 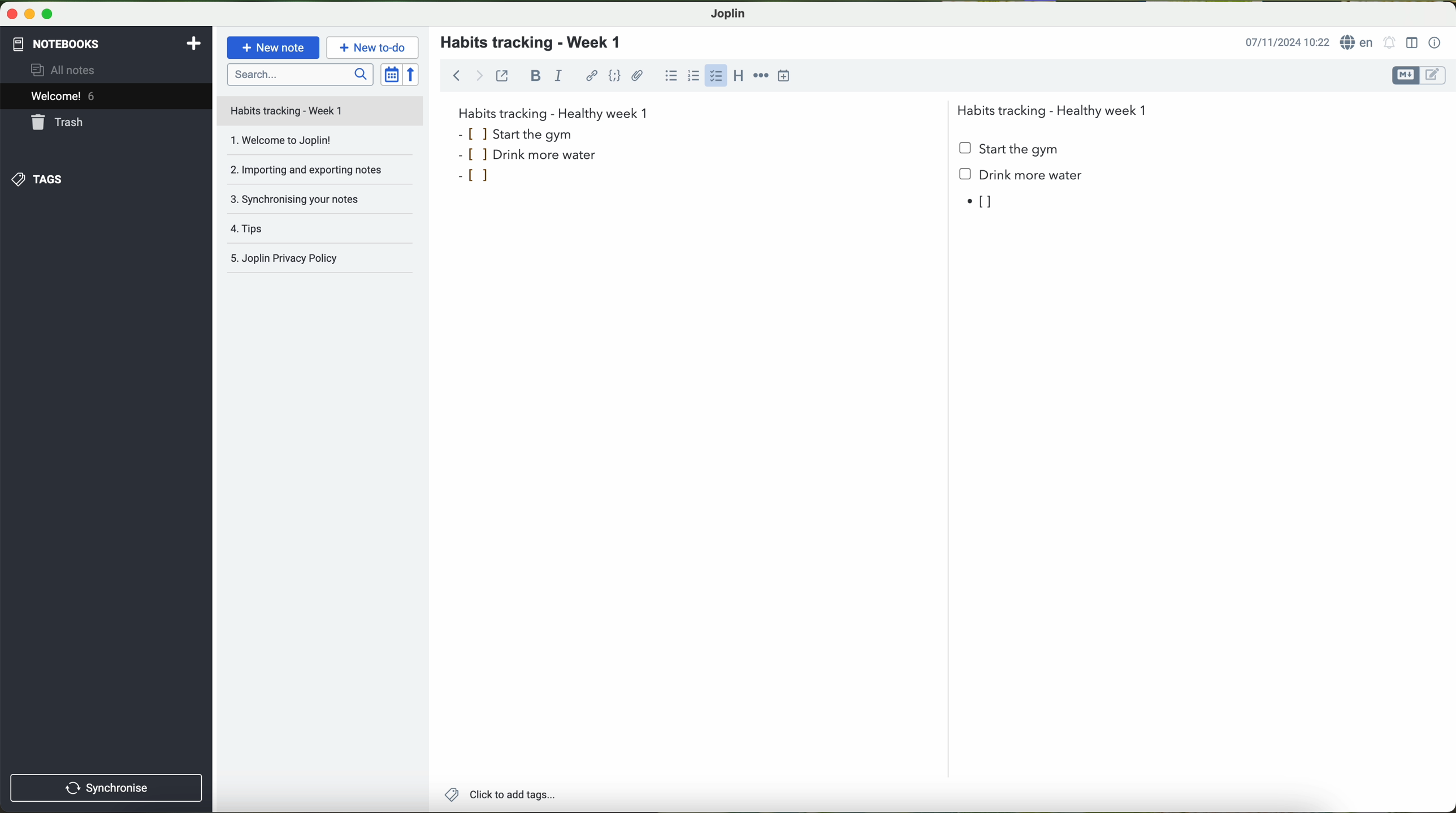 I want to click on bullet point, so click(x=982, y=206).